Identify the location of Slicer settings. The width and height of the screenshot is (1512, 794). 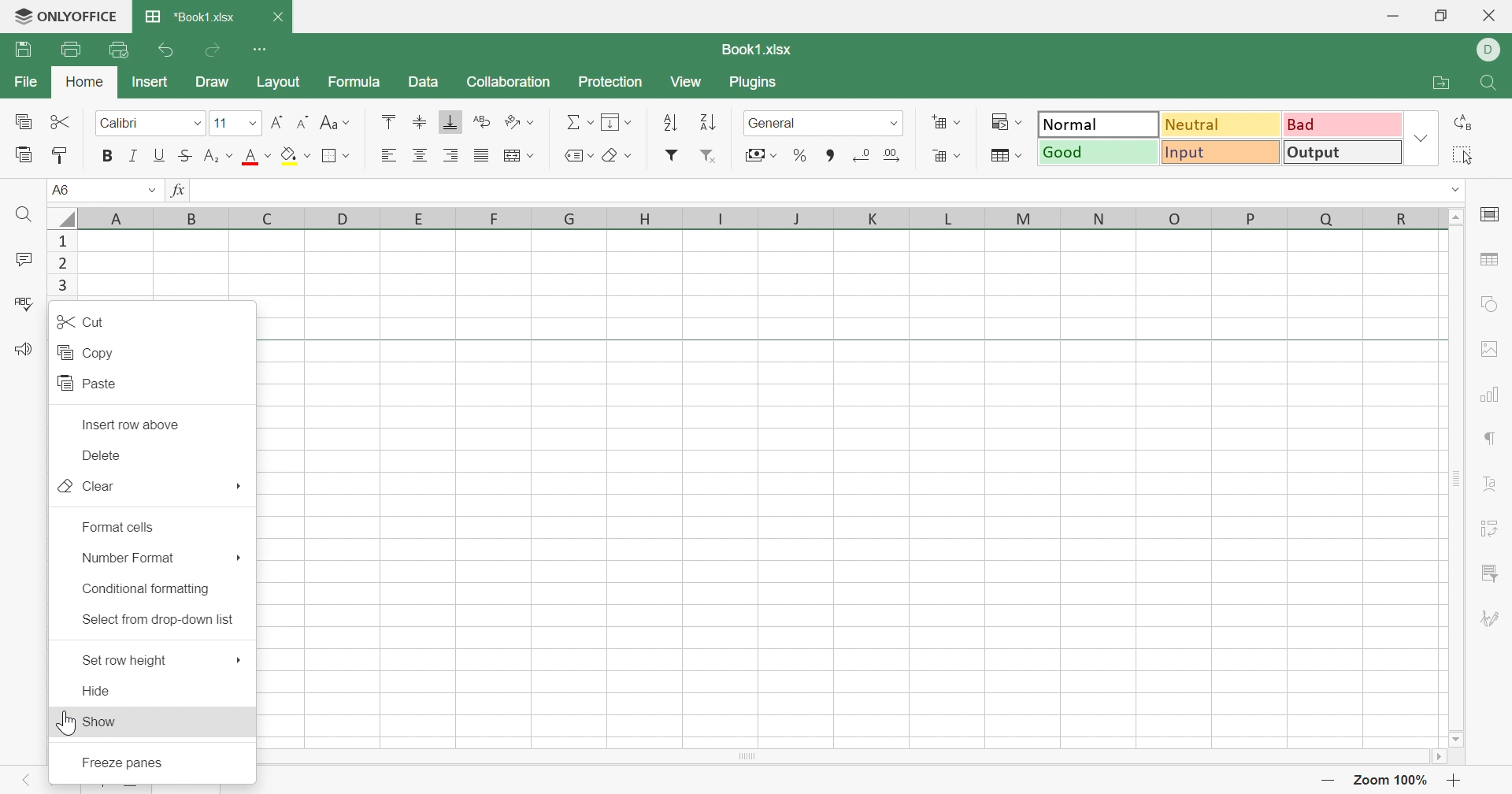
(1488, 573).